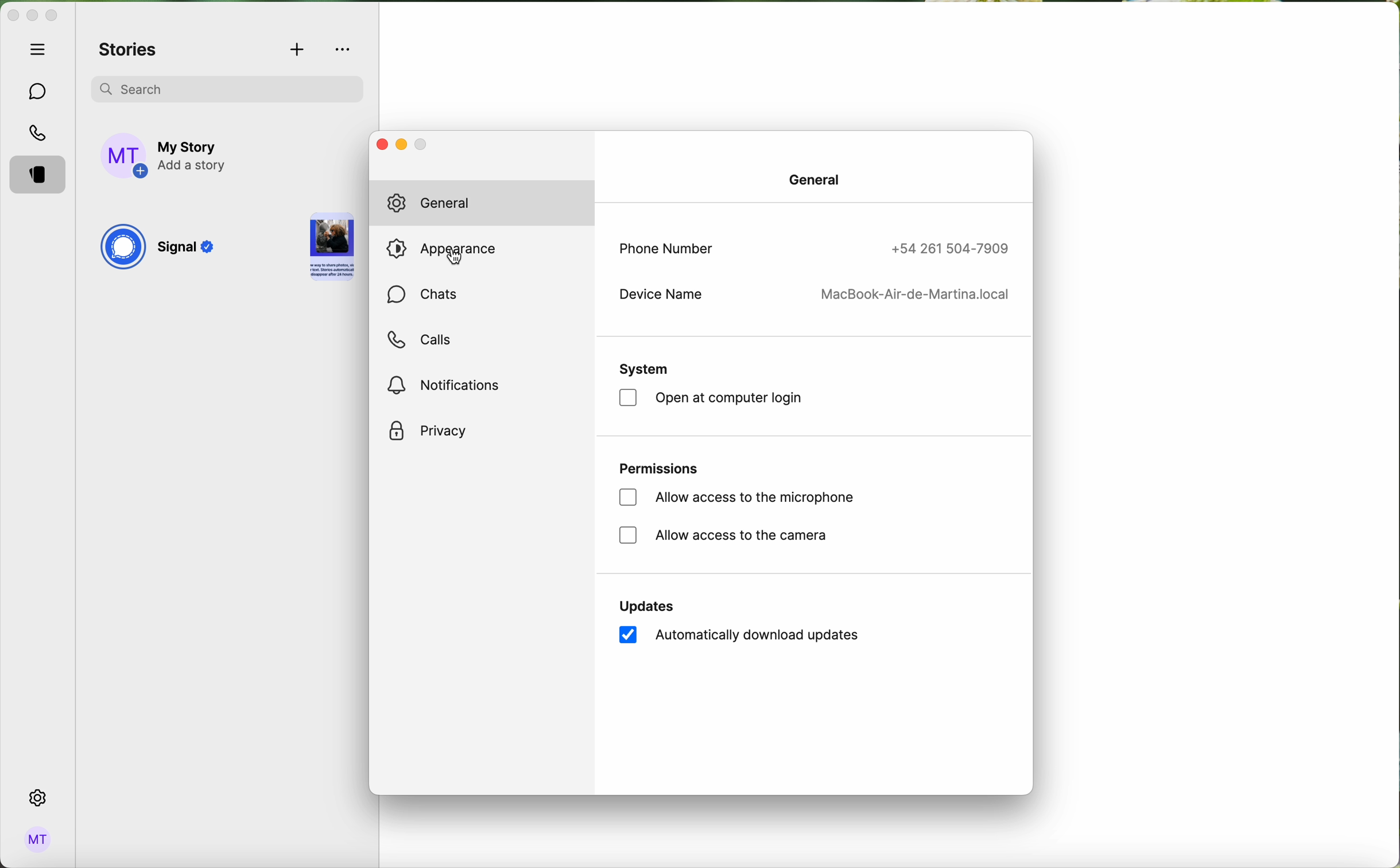  Describe the element at coordinates (379, 144) in the screenshot. I see `close window` at that location.